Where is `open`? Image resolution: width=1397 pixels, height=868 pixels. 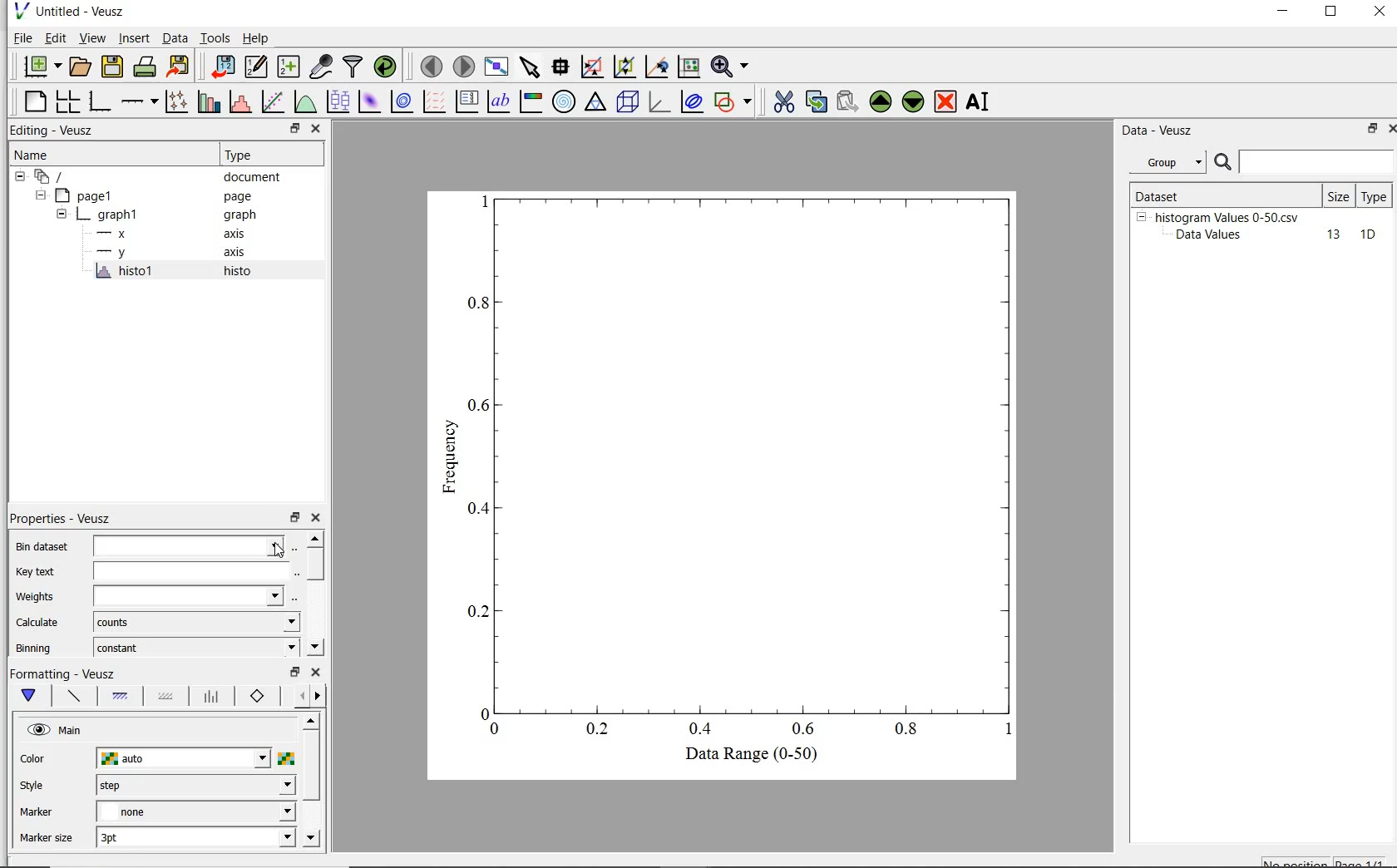 open is located at coordinates (82, 65).